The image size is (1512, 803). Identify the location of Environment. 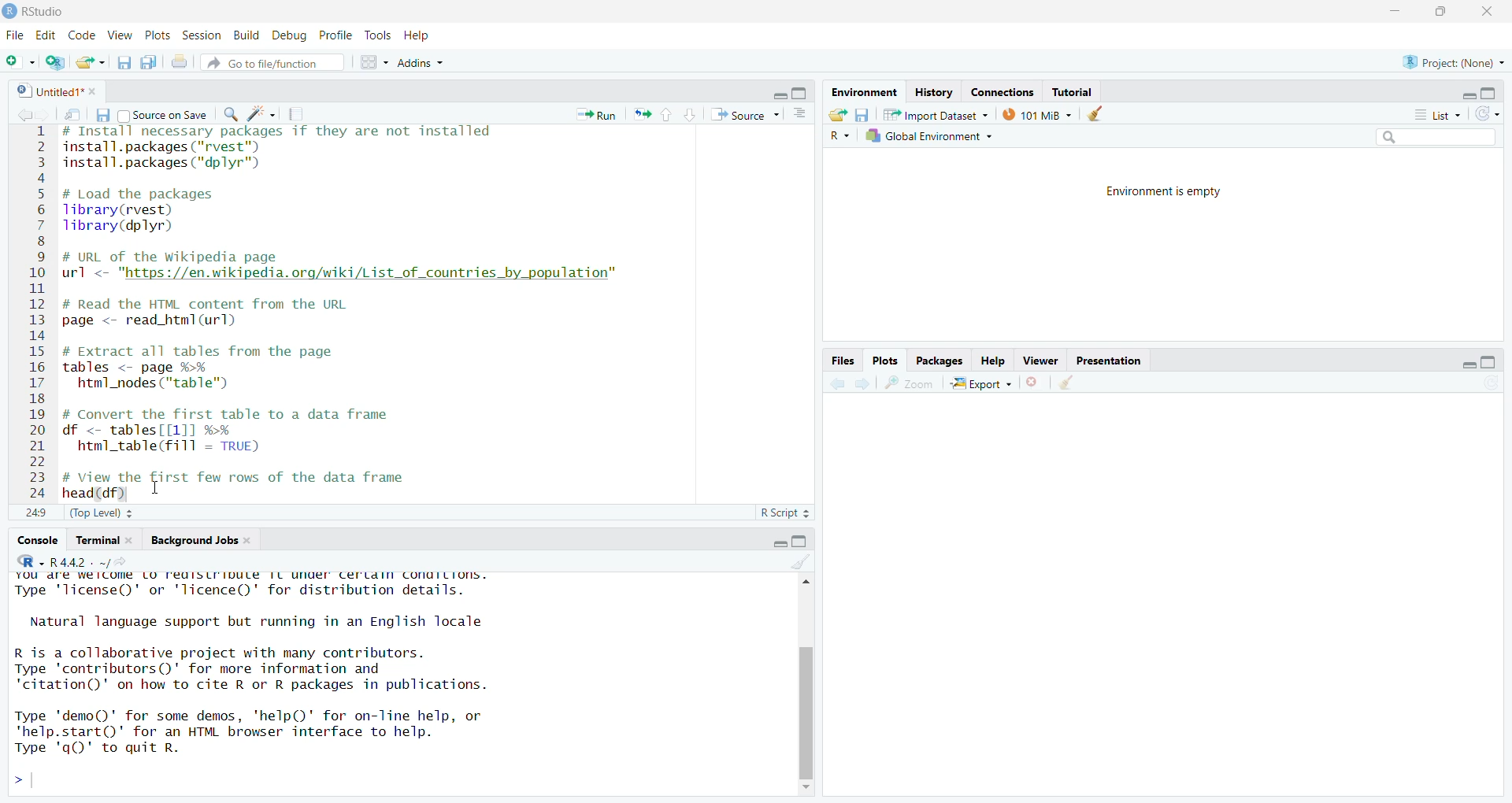
(863, 92).